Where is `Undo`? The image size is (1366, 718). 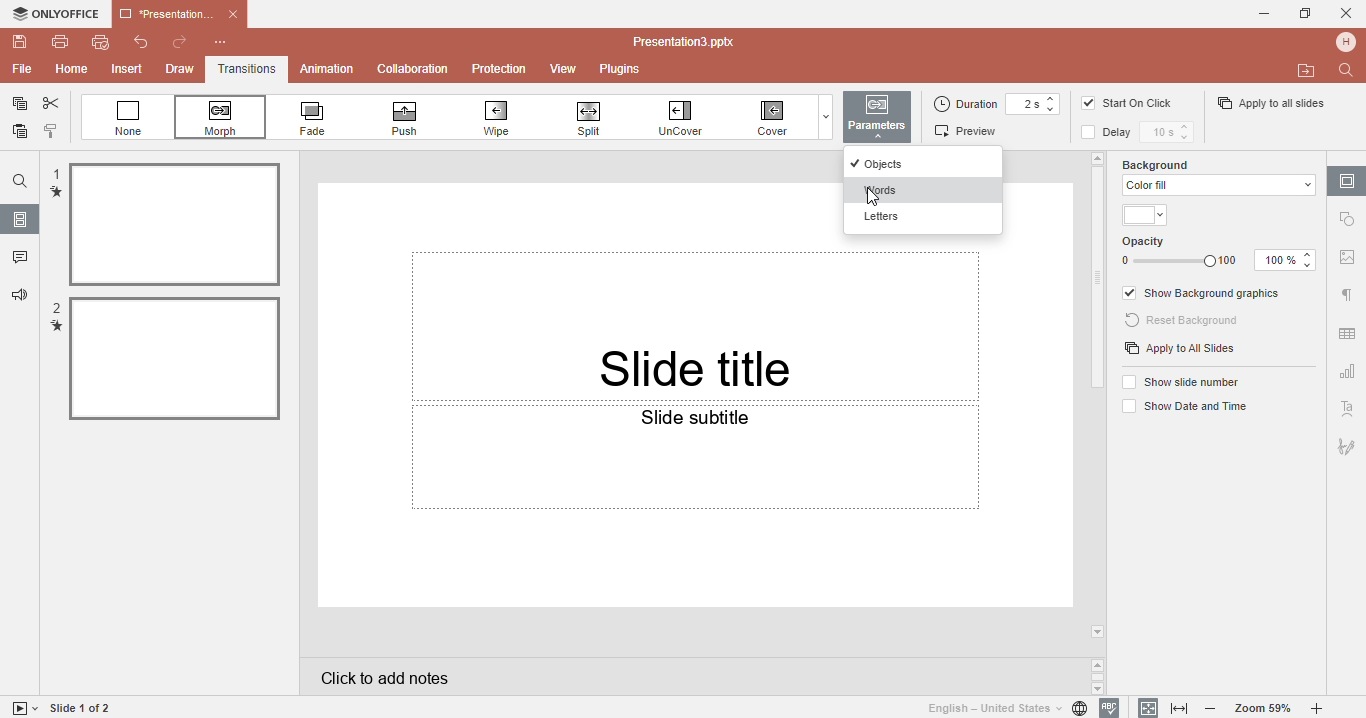
Undo is located at coordinates (134, 44).